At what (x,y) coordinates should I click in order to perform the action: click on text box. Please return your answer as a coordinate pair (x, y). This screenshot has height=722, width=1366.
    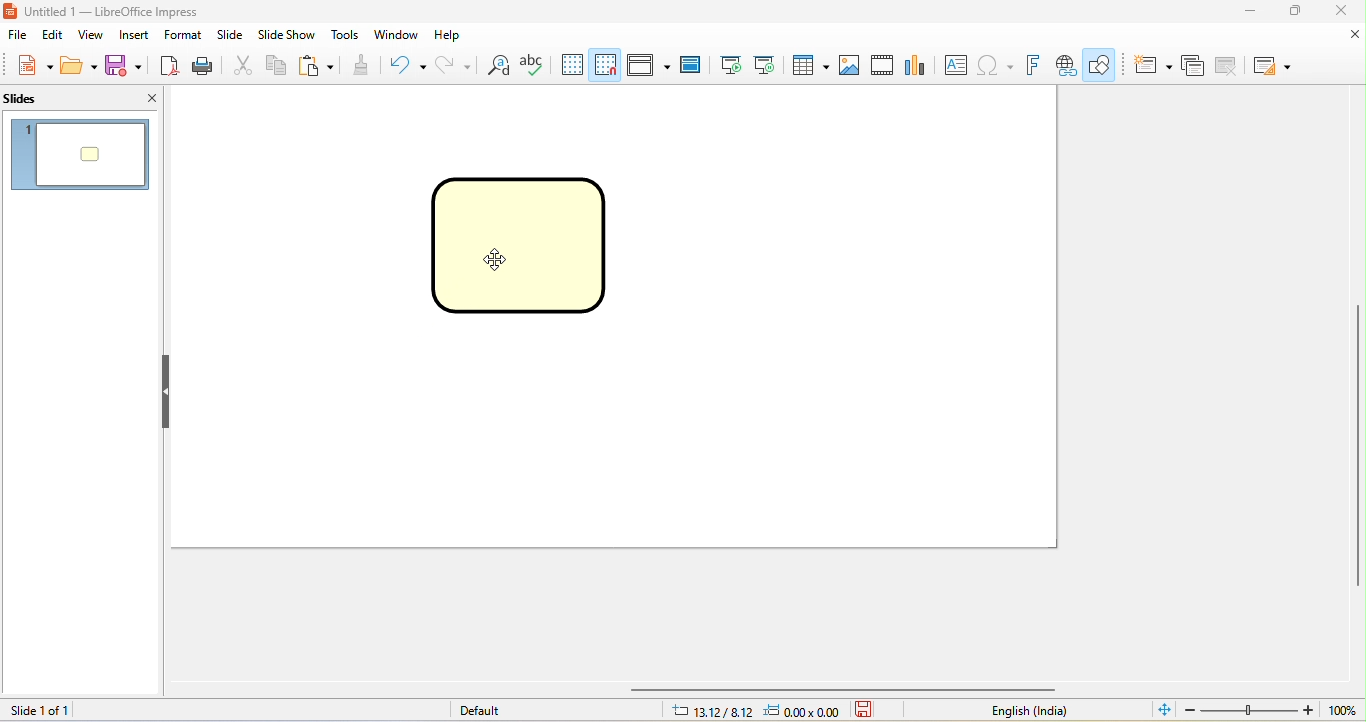
    Looking at the image, I should click on (958, 67).